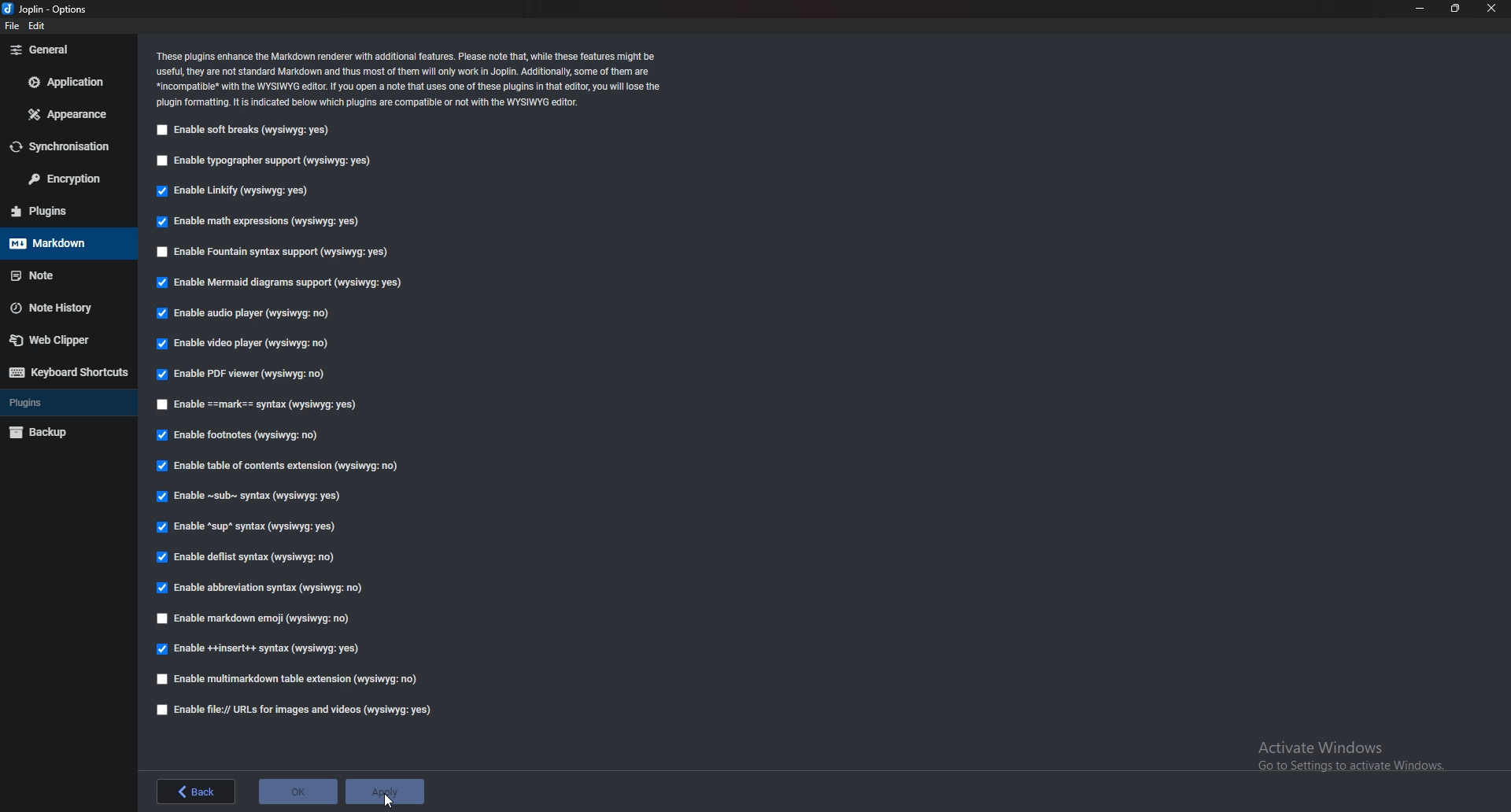 This screenshot has height=812, width=1511. What do you see at coordinates (64, 307) in the screenshot?
I see `note history` at bounding box center [64, 307].